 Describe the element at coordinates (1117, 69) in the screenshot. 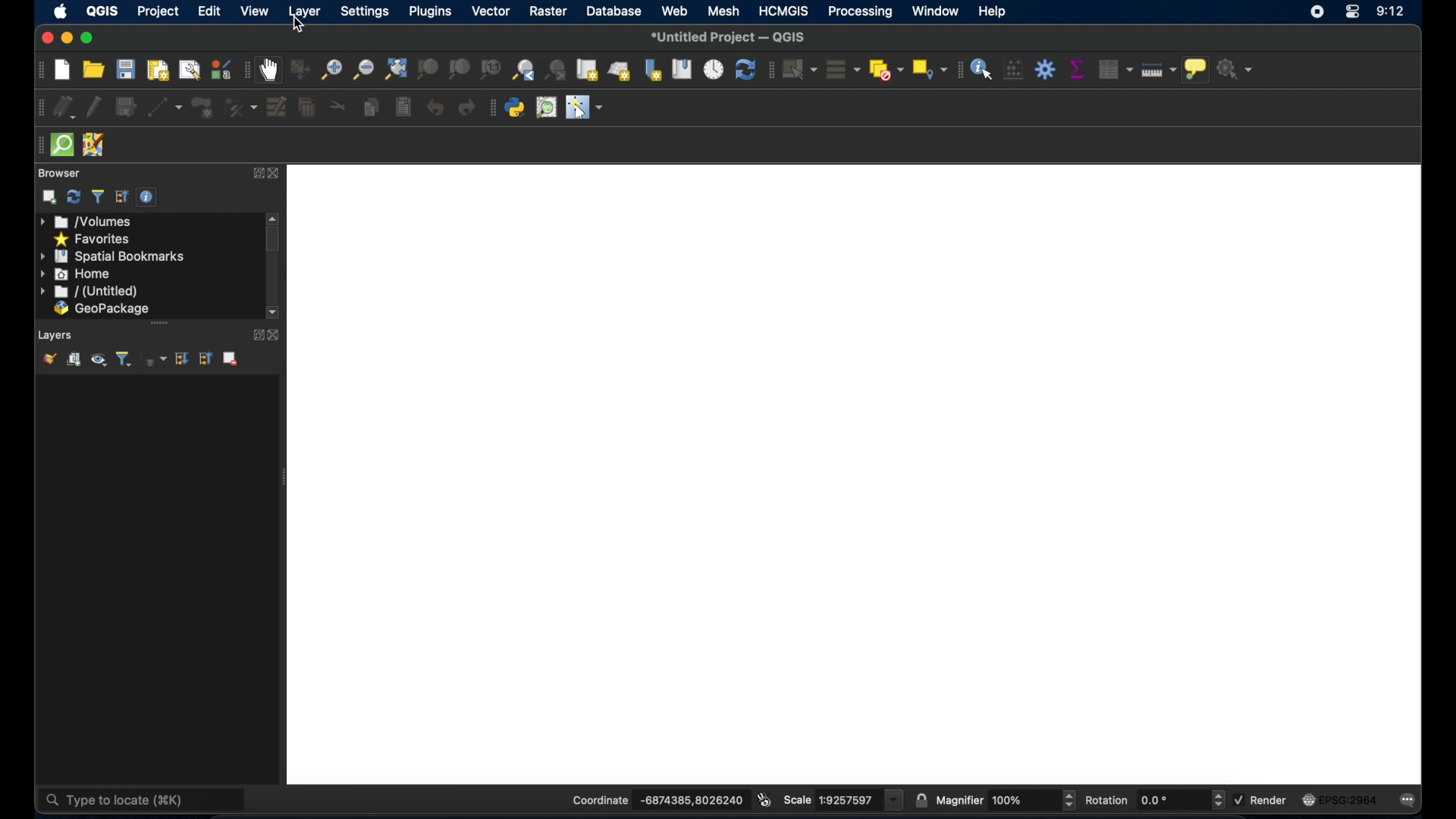

I see `open attribute table` at that location.